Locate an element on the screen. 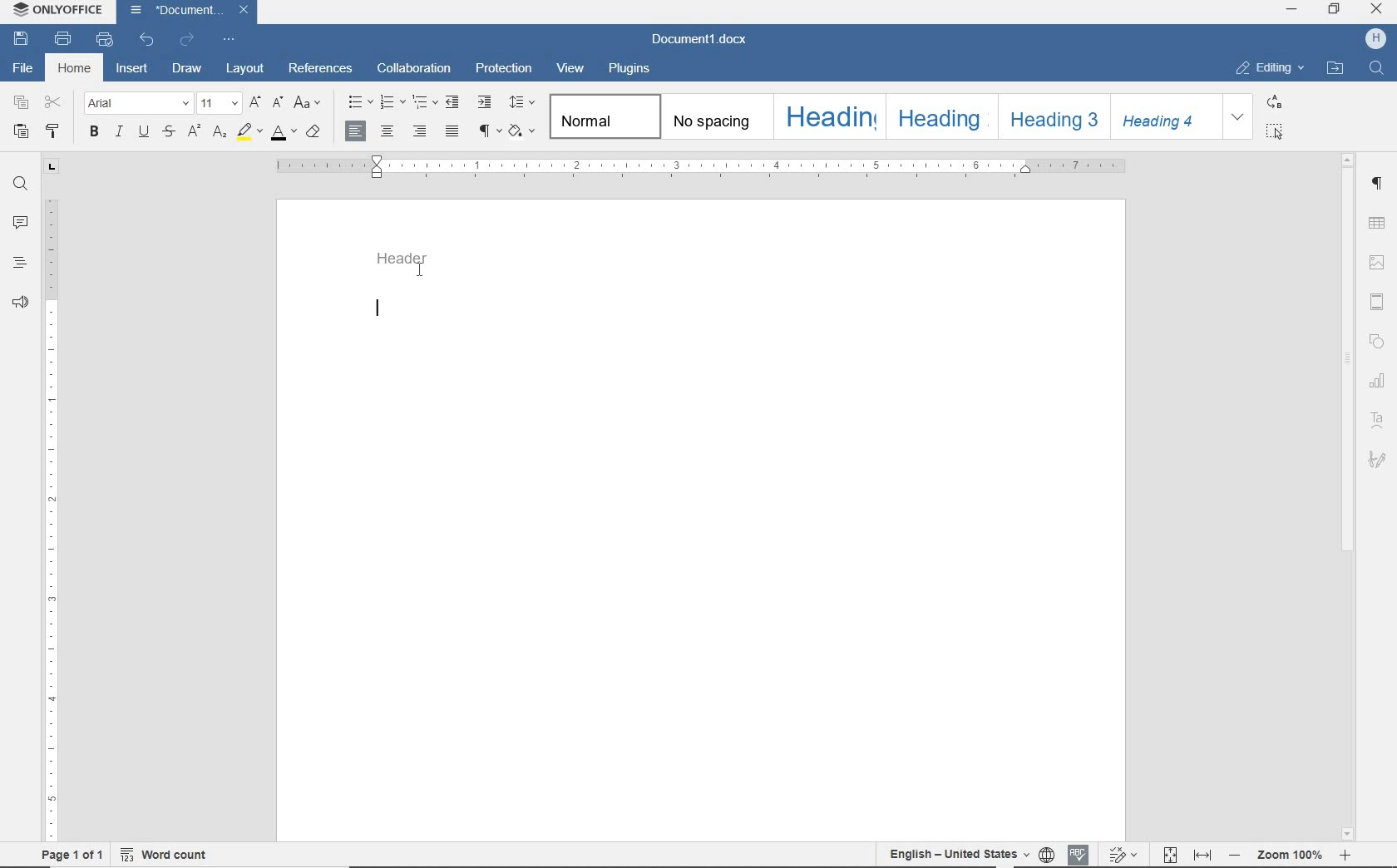  PARAGRAPH SETTINGS is located at coordinates (1379, 184).